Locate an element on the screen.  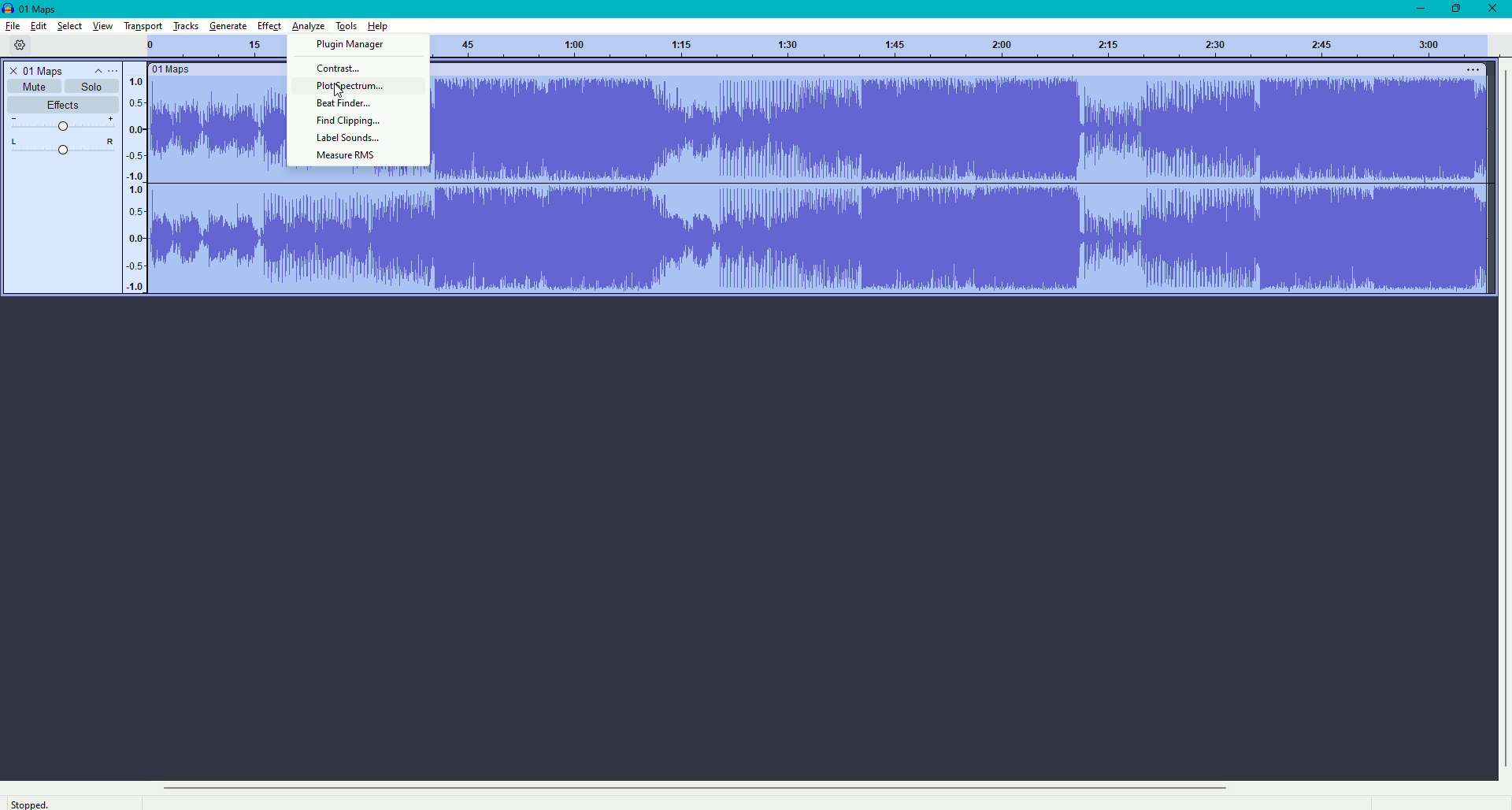
Close is located at coordinates (1494, 9).